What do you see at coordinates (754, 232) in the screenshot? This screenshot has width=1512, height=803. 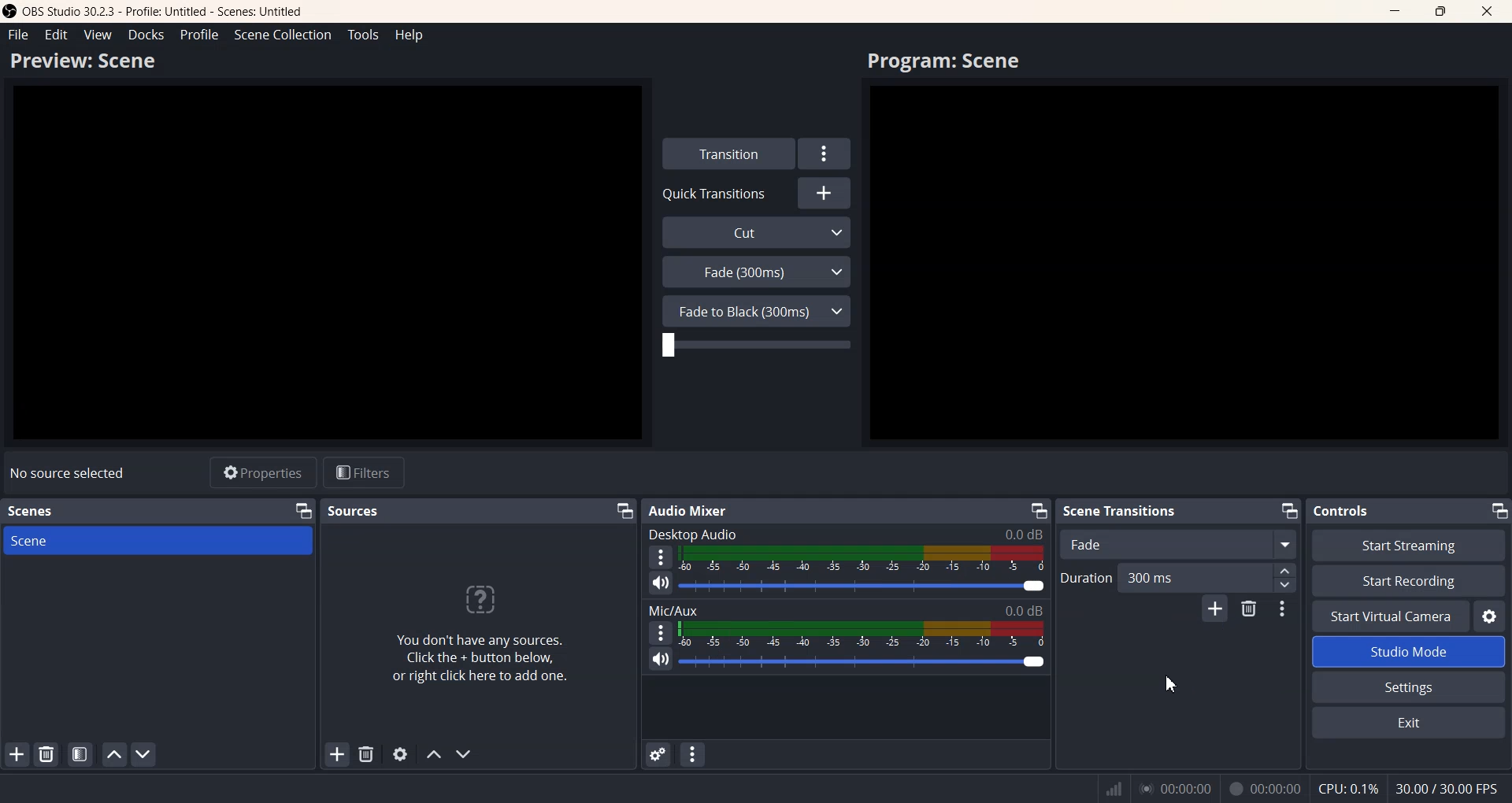 I see `Cut` at bounding box center [754, 232].